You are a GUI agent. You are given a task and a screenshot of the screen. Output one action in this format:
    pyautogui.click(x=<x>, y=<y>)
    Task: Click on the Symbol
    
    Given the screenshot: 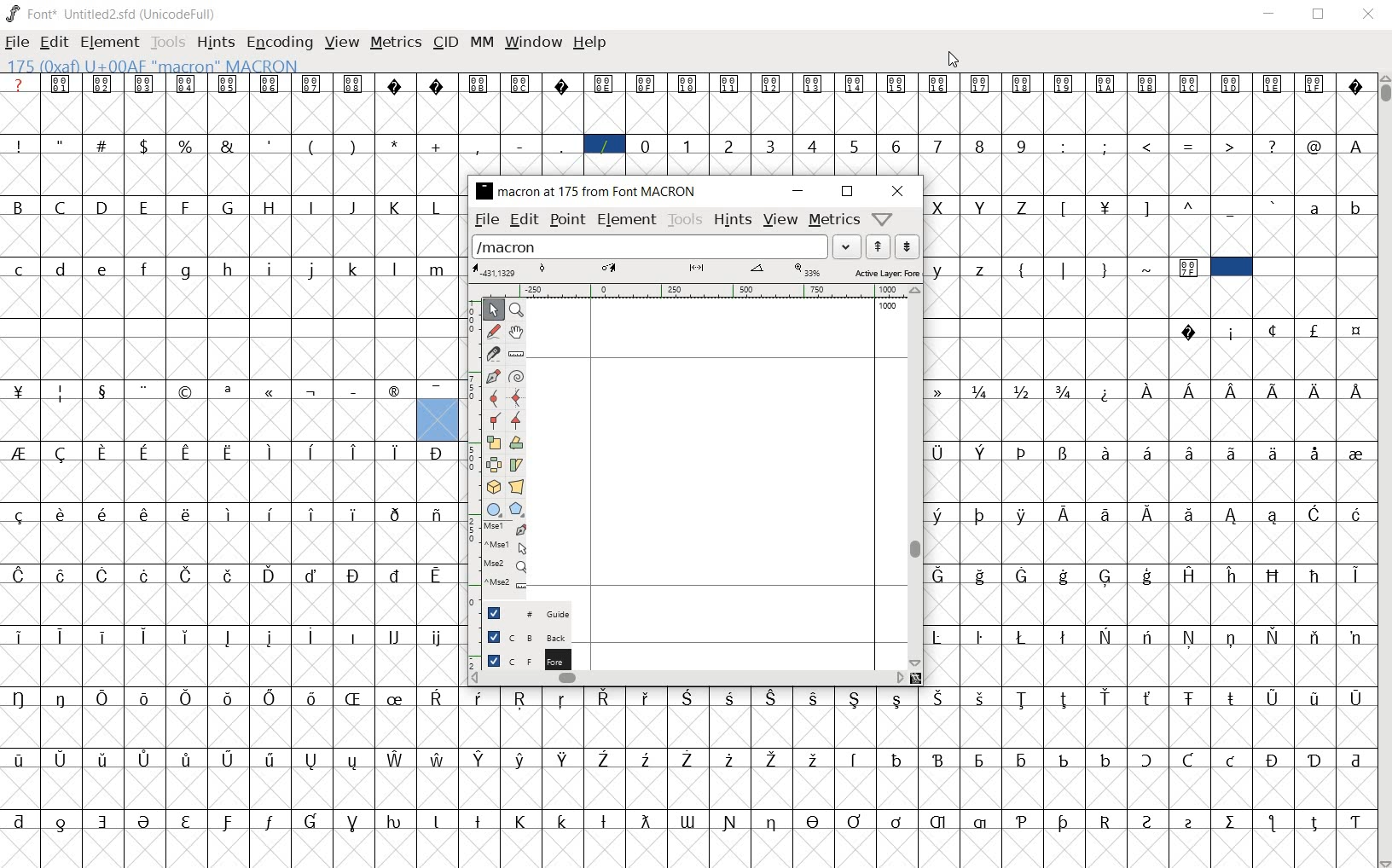 What is the action you would take?
    pyautogui.click(x=561, y=84)
    